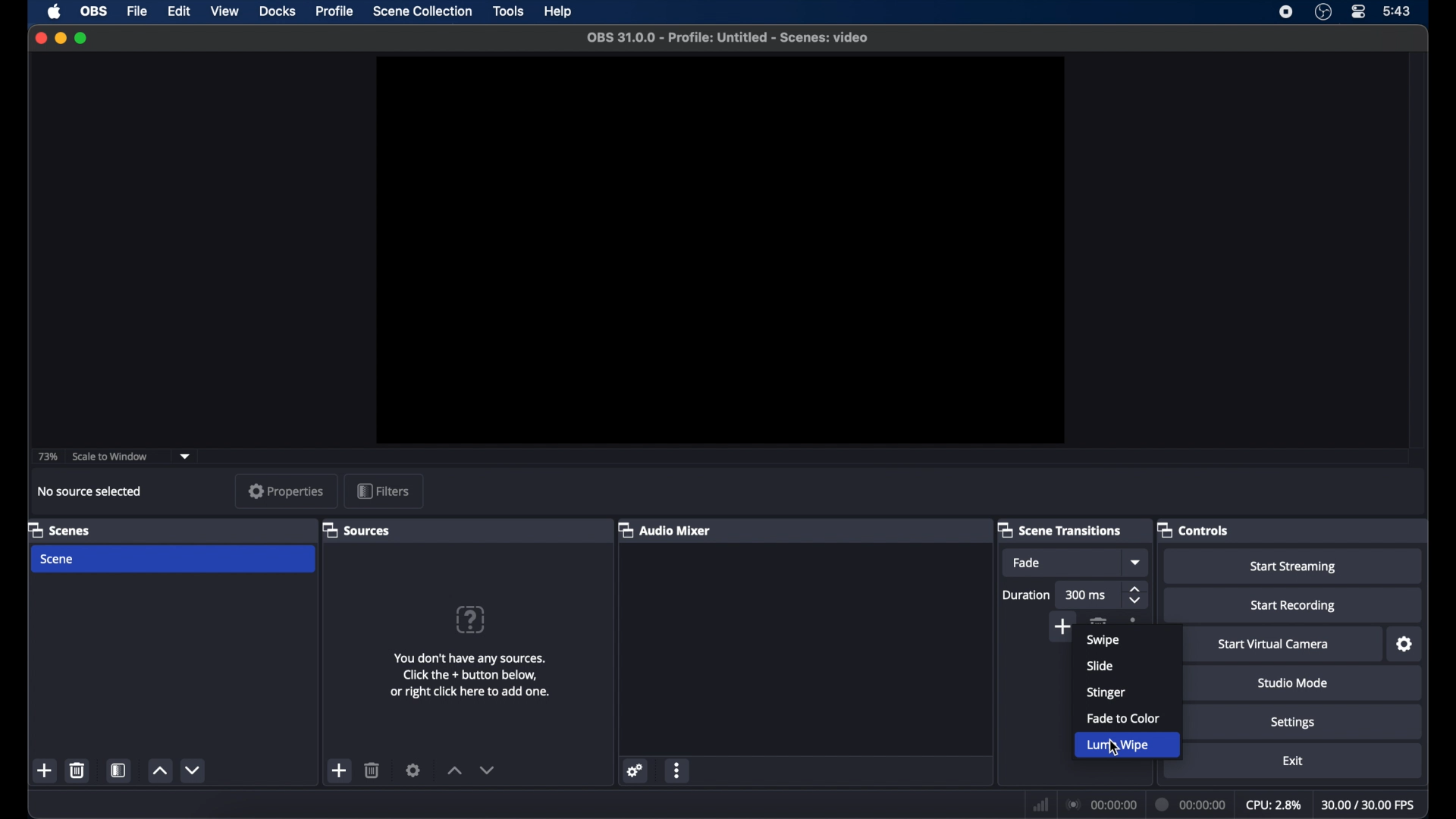 This screenshot has width=1456, height=819. Describe the element at coordinates (58, 560) in the screenshot. I see `scene` at that location.